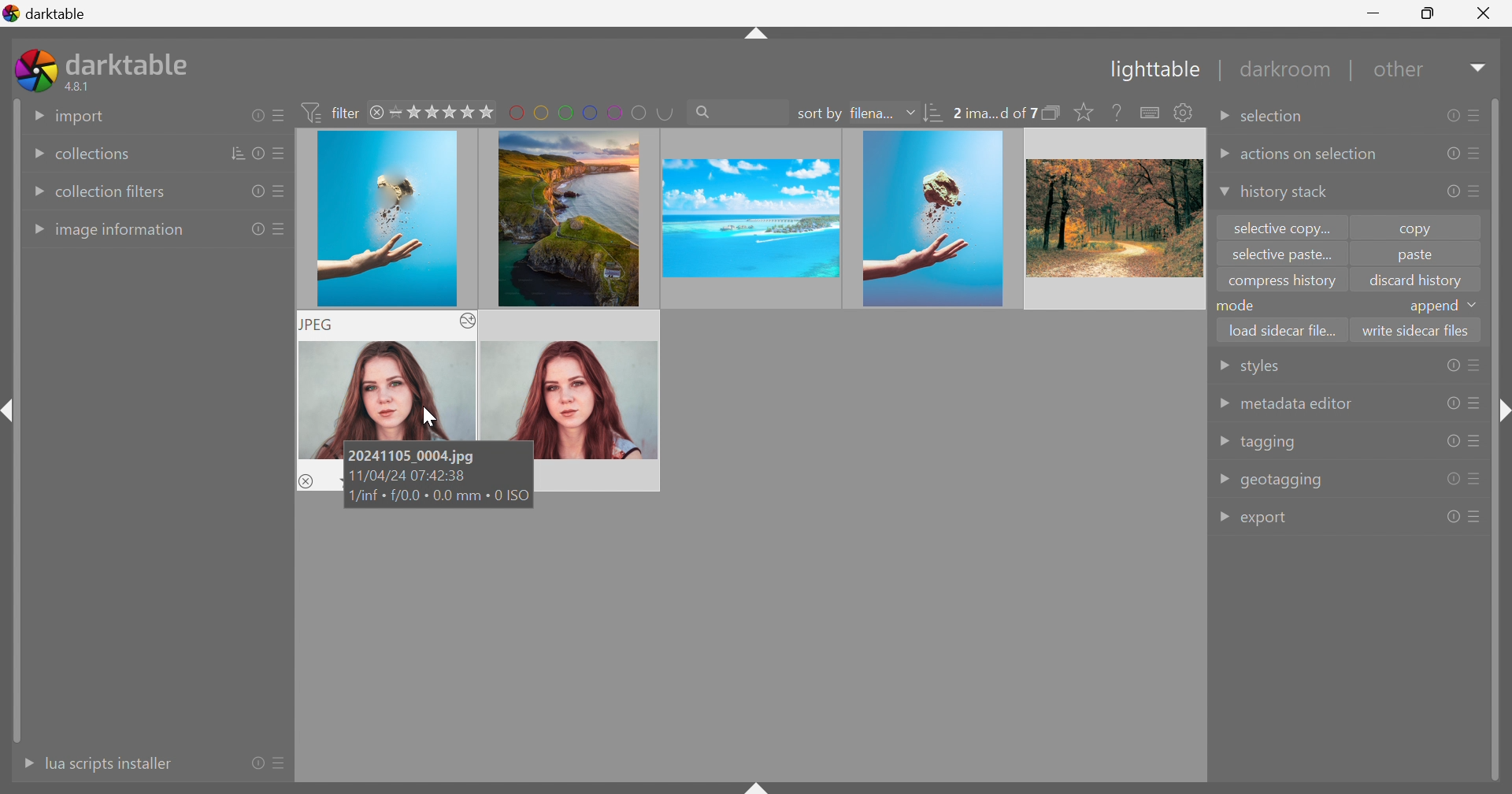 The width and height of the screenshot is (1512, 794). Describe the element at coordinates (278, 116) in the screenshot. I see `presets` at that location.